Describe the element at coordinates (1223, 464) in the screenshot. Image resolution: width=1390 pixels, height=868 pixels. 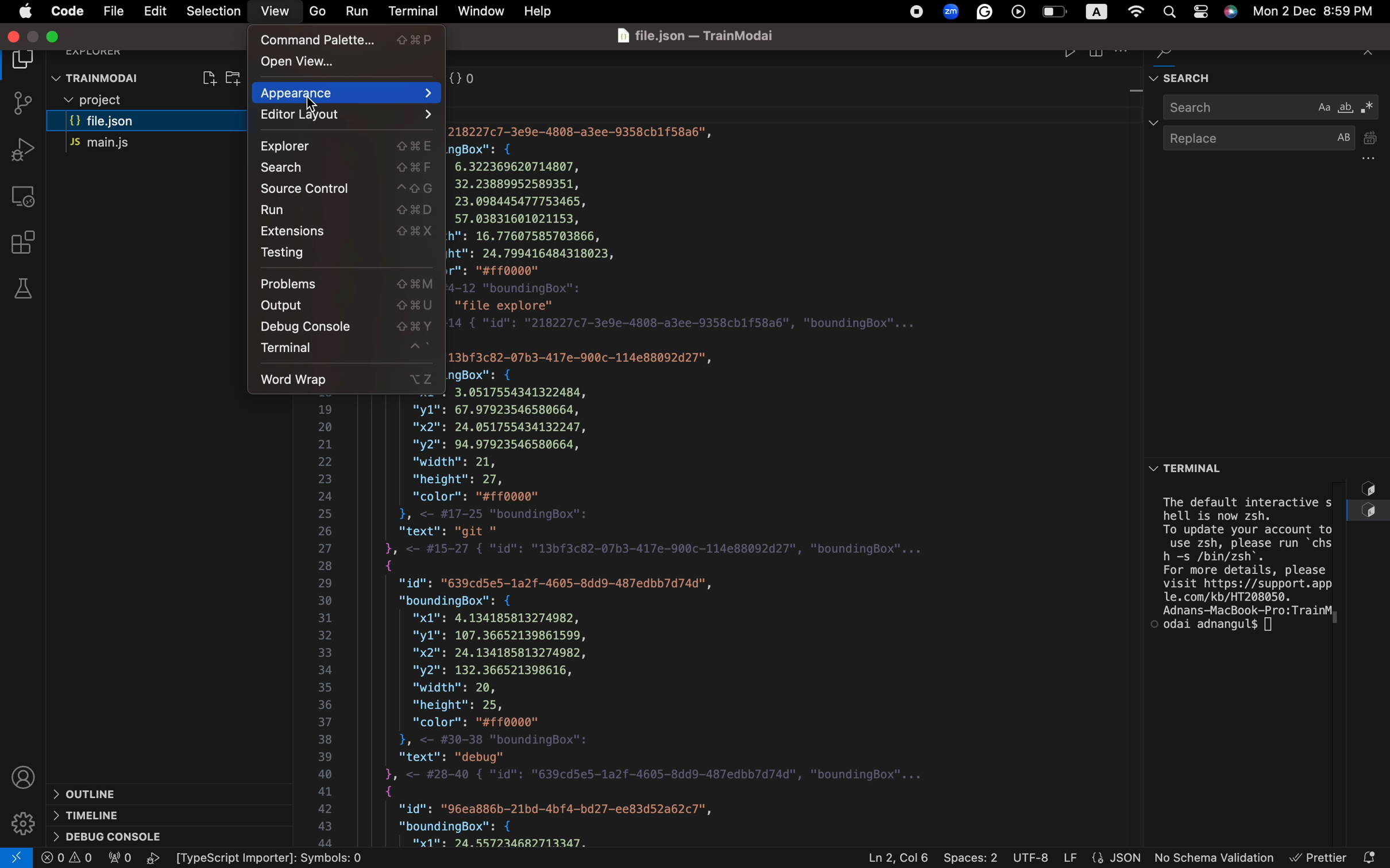
I see `terminal` at that location.